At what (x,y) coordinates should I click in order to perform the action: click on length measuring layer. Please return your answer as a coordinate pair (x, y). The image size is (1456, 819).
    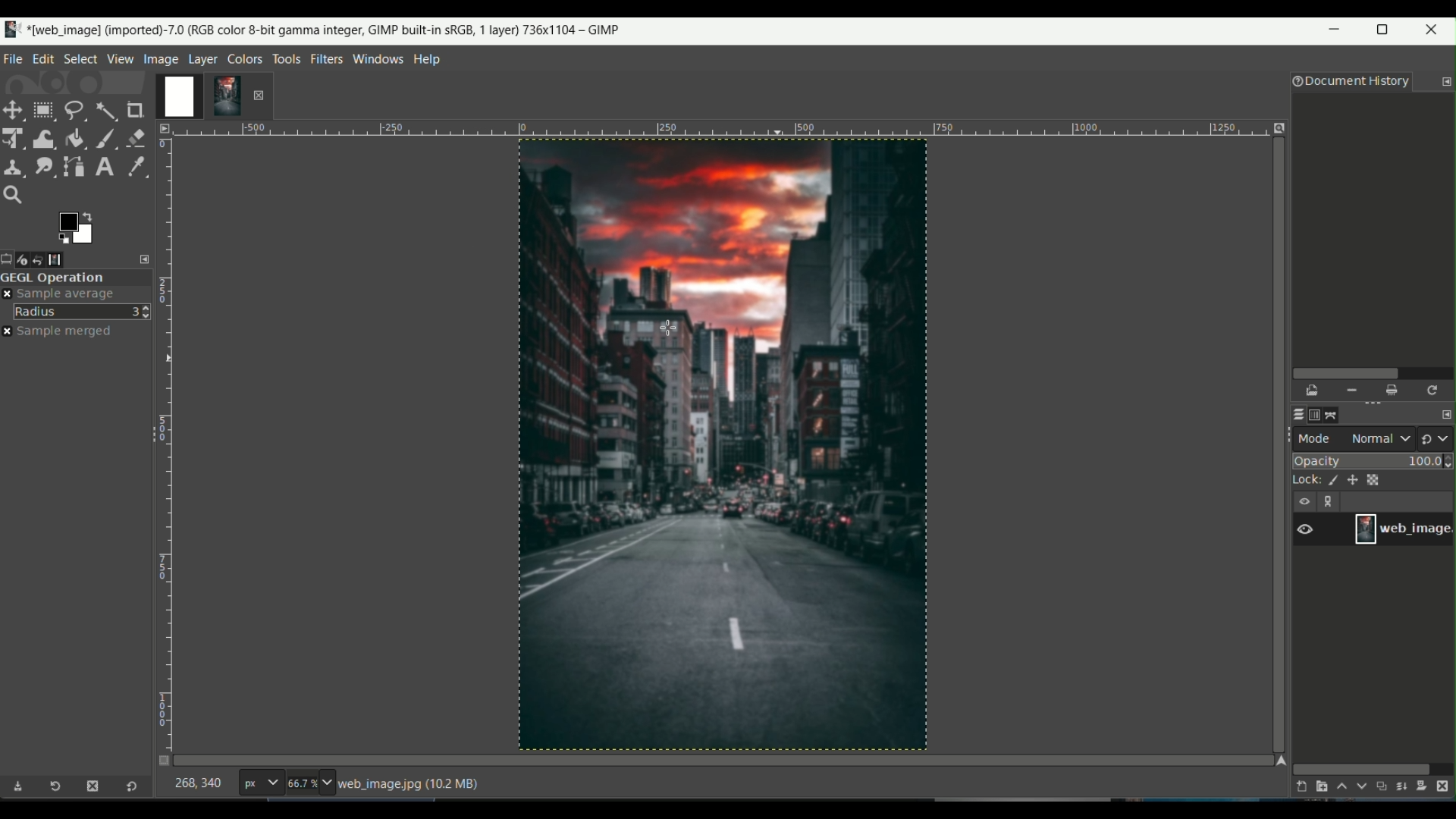
    Looking at the image, I should click on (165, 435).